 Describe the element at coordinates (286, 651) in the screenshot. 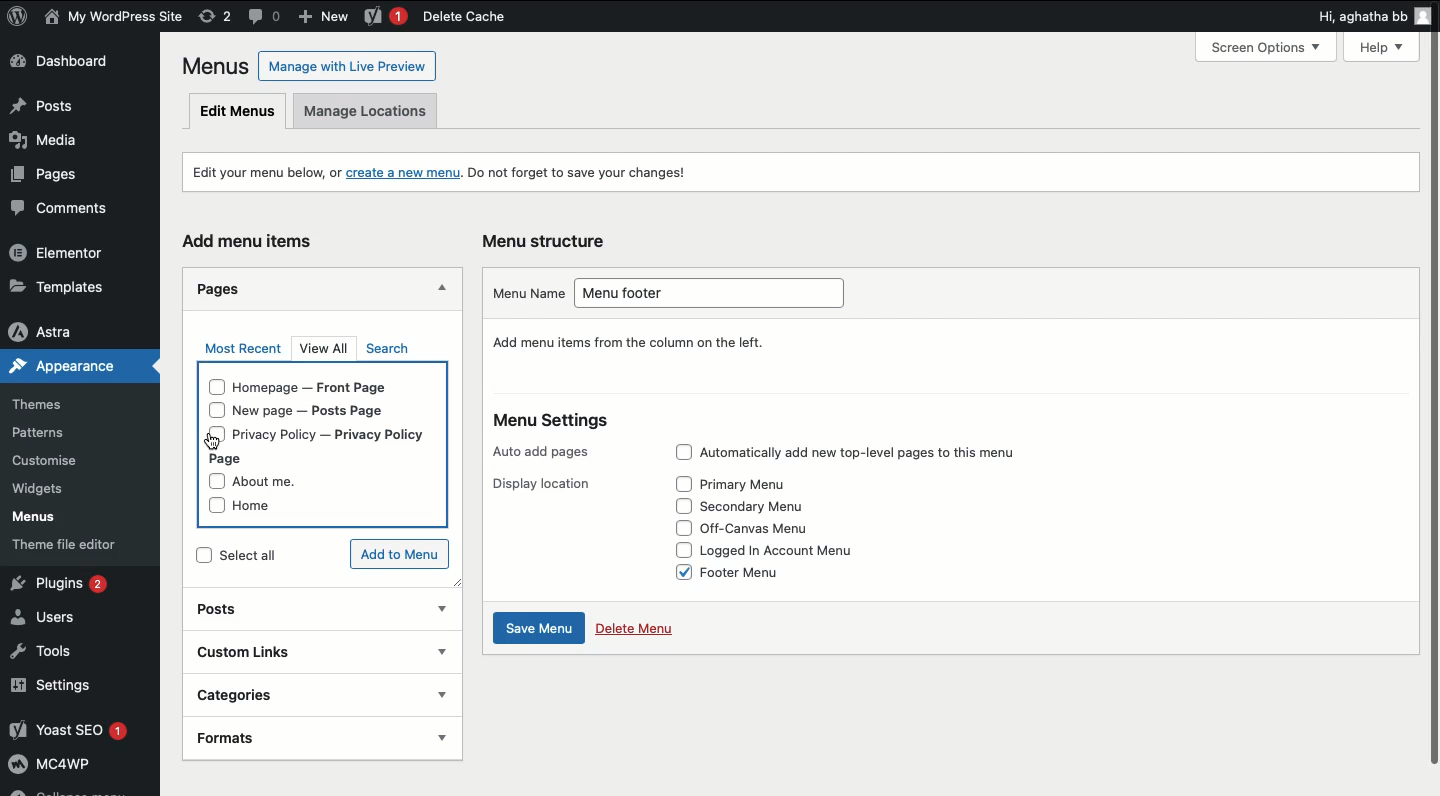

I see `Custom links` at that location.